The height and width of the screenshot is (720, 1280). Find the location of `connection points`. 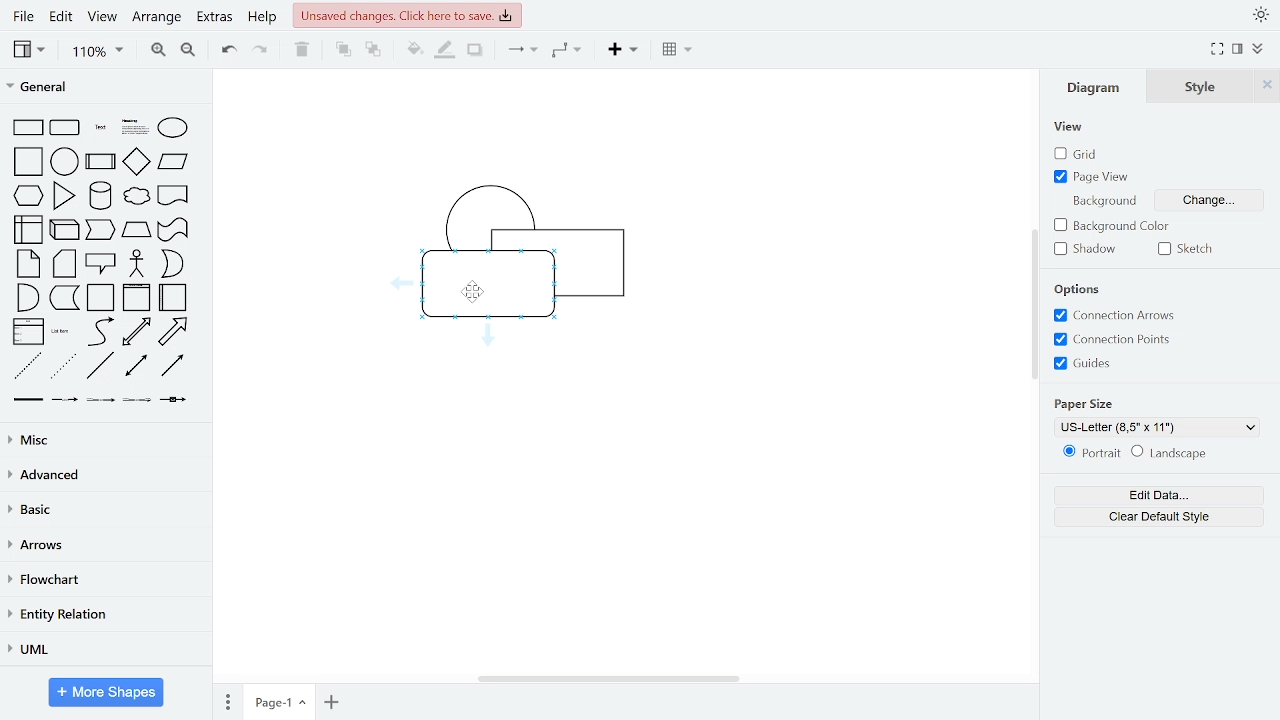

connection points is located at coordinates (1117, 339).